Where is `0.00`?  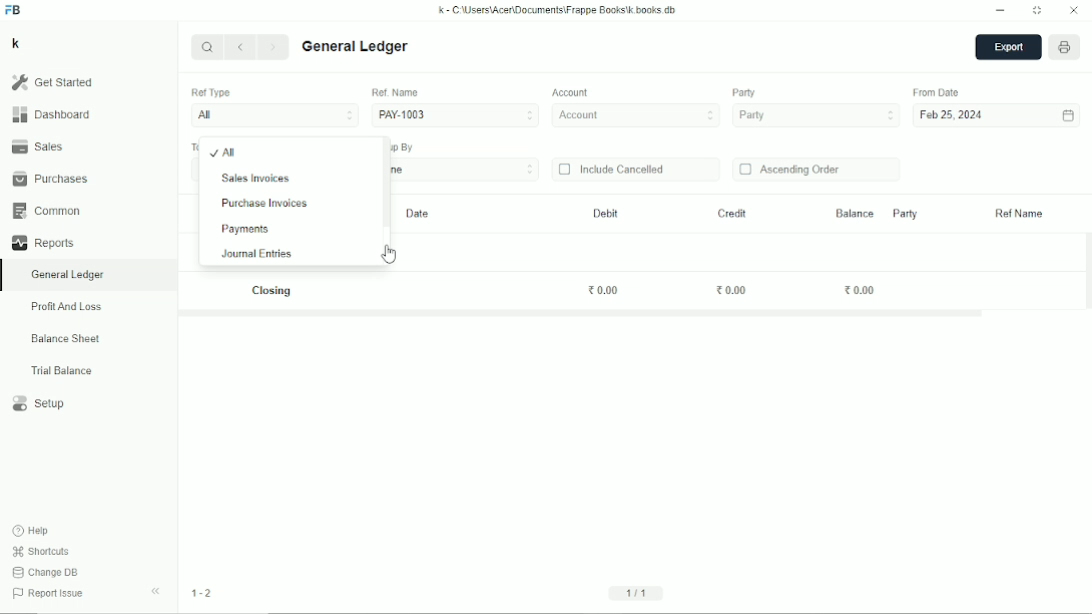 0.00 is located at coordinates (860, 289).